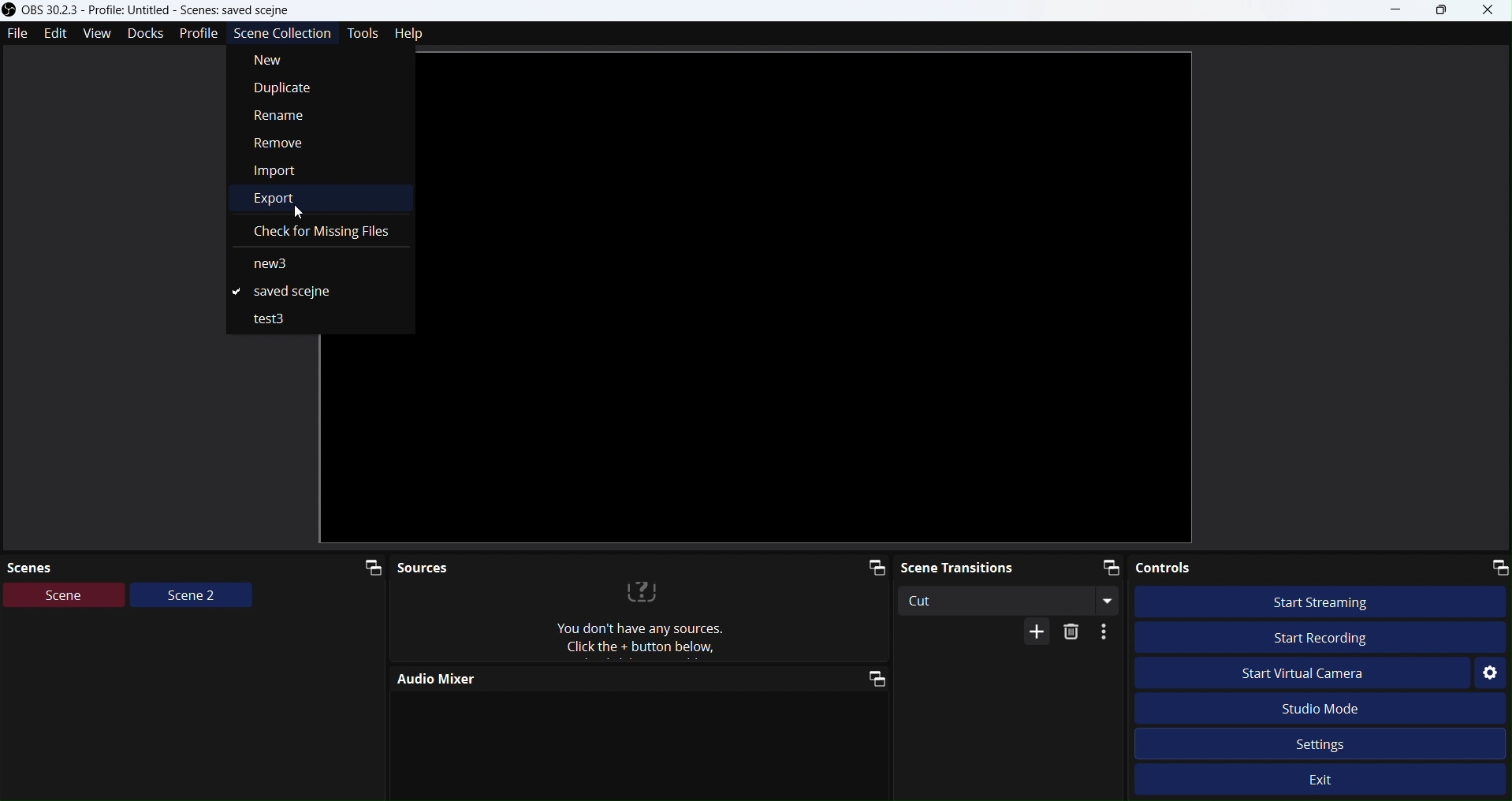 This screenshot has height=801, width=1512. Describe the element at coordinates (192, 597) in the screenshot. I see `Scene2` at that location.